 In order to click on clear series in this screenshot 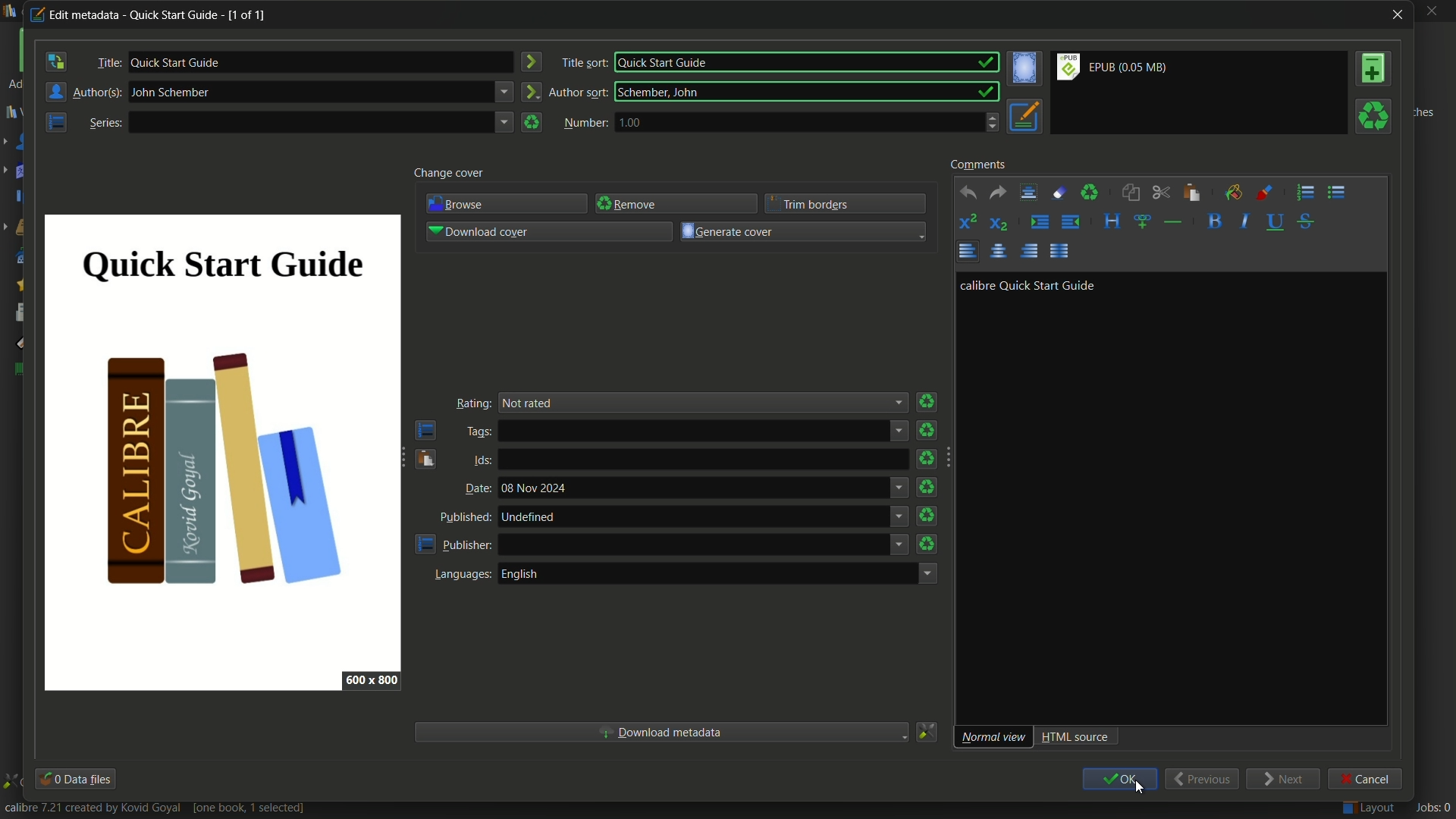, I will do `click(532, 123)`.